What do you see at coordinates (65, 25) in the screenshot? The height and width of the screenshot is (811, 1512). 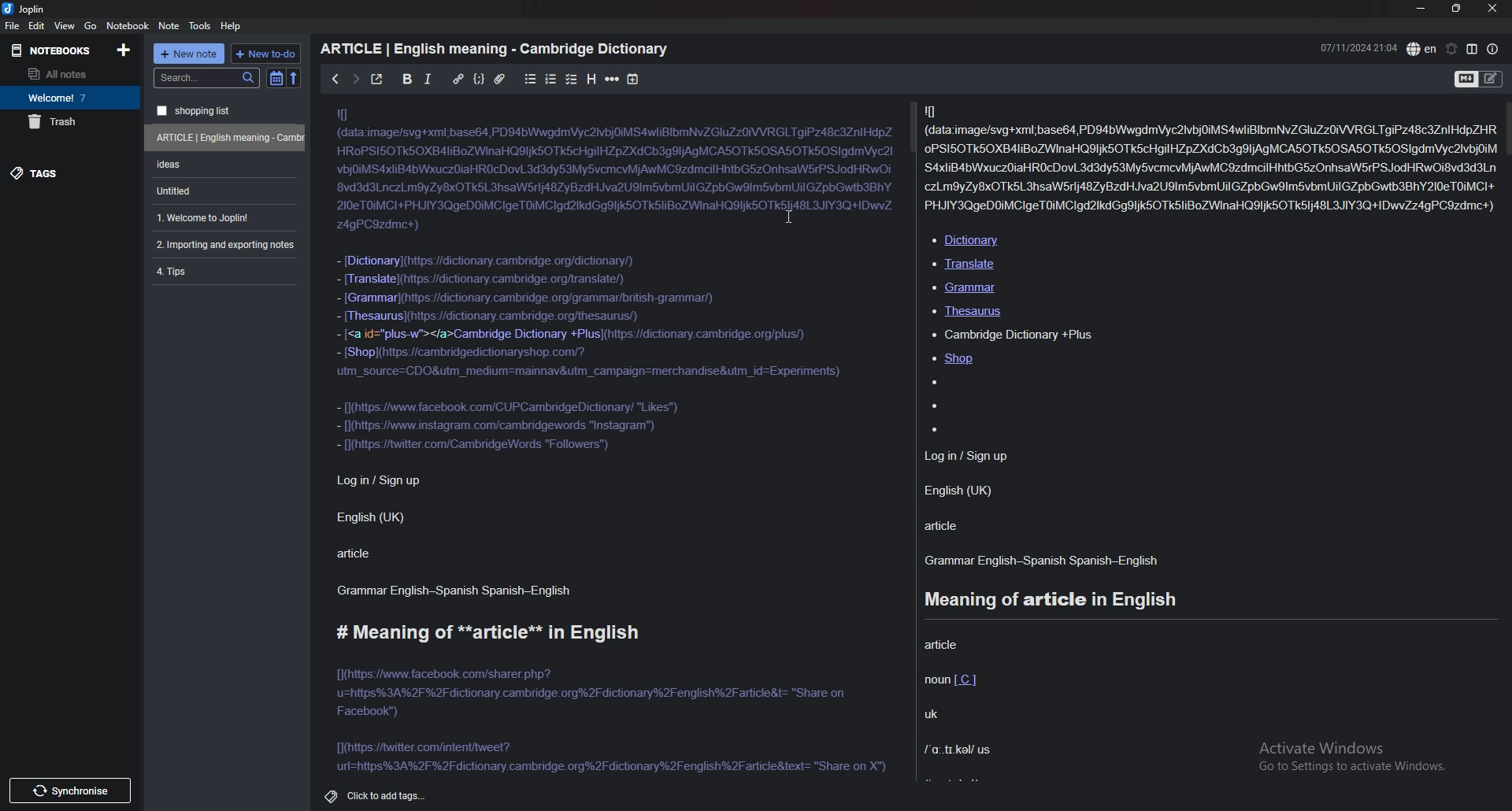 I see `view` at bounding box center [65, 25].